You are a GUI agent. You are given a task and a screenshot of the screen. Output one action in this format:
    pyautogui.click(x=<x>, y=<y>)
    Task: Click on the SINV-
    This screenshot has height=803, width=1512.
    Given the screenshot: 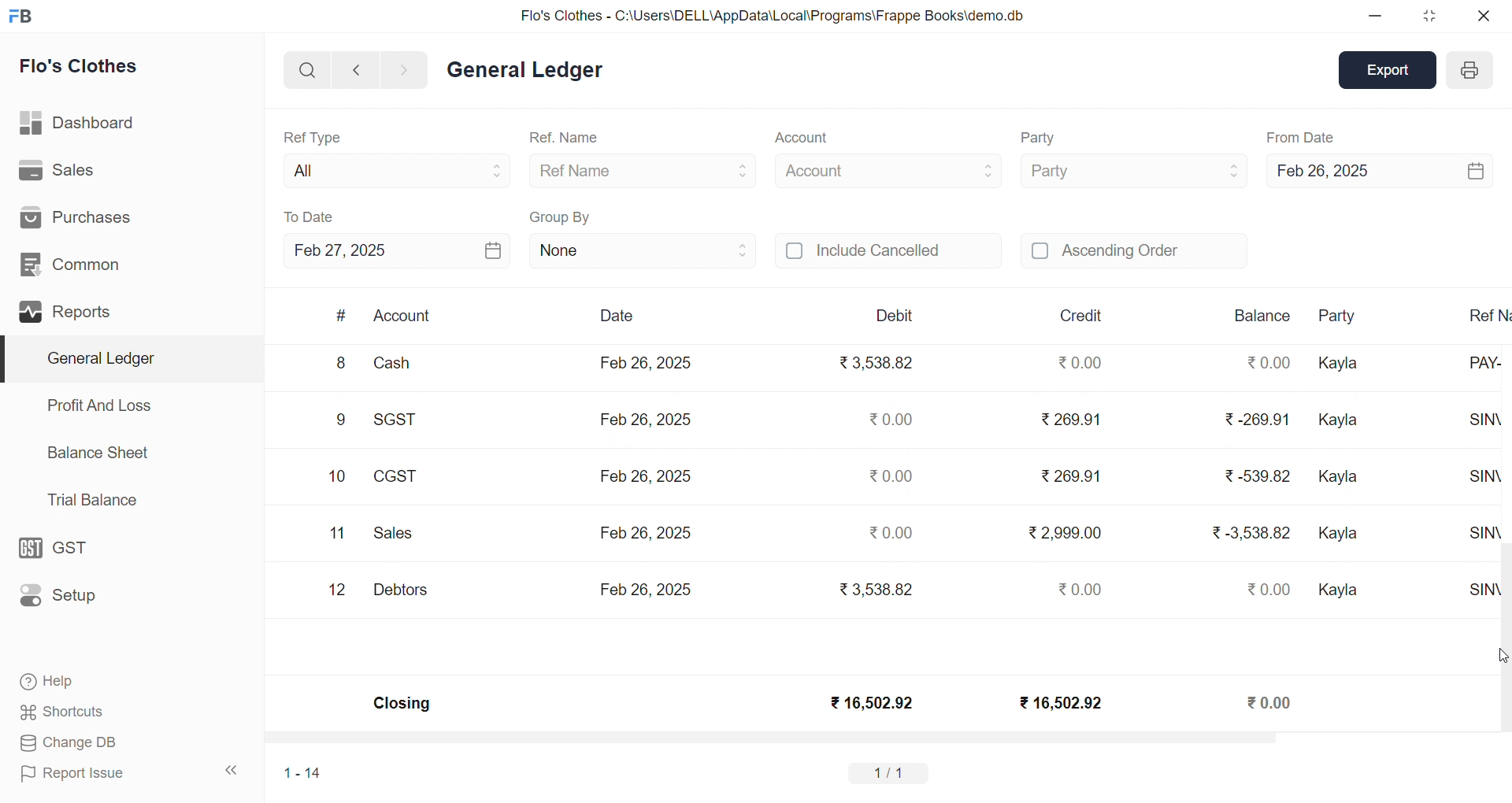 What is the action you would take?
    pyautogui.click(x=1473, y=598)
    